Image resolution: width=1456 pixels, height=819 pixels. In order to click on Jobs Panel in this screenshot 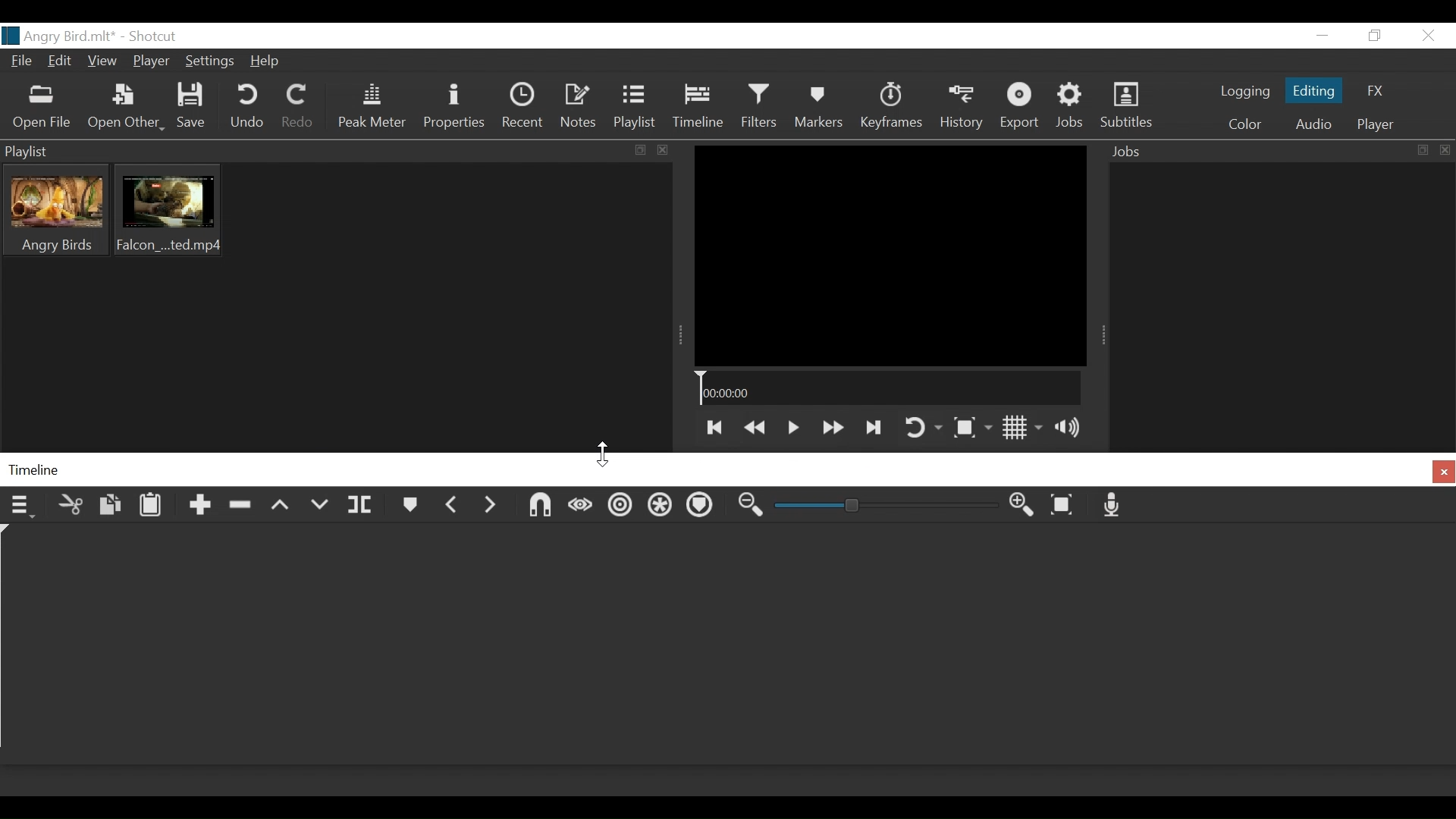, I will do `click(1281, 303)`.